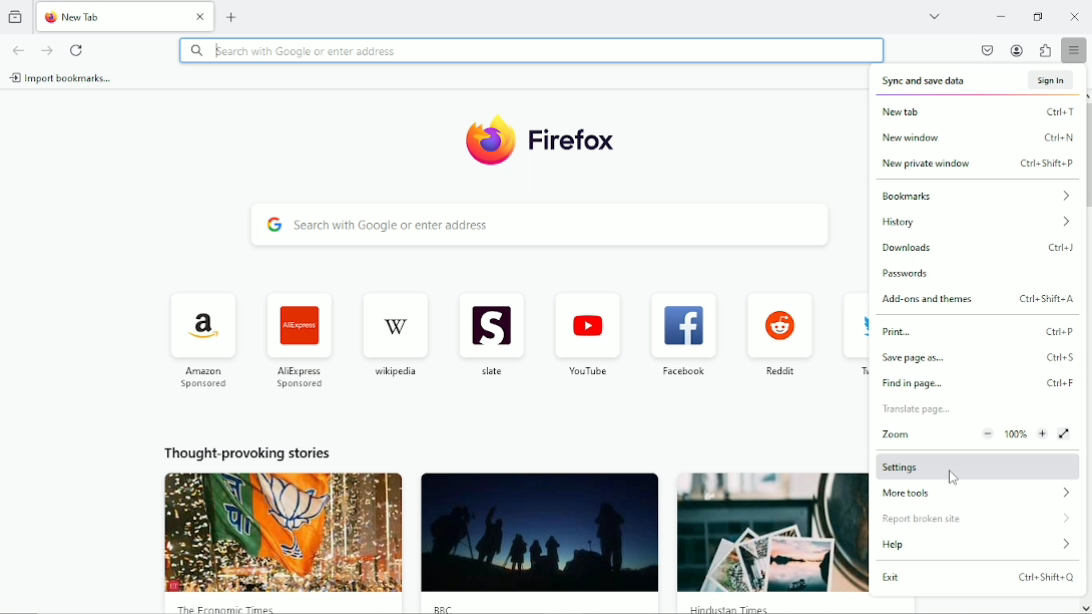 This screenshot has height=614, width=1092. What do you see at coordinates (48, 50) in the screenshot?
I see `Go forward` at bounding box center [48, 50].